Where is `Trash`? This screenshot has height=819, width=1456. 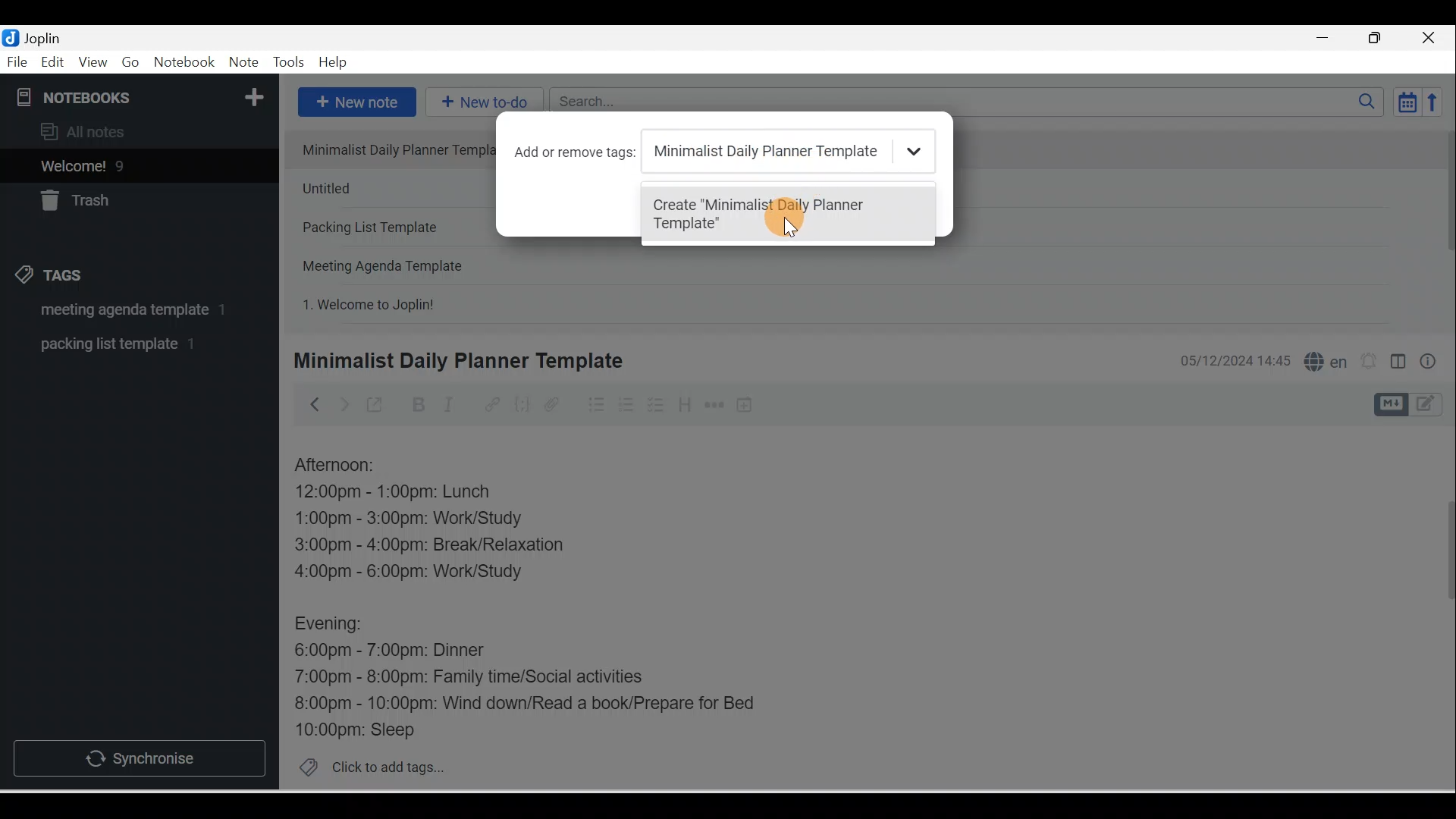 Trash is located at coordinates (111, 196).